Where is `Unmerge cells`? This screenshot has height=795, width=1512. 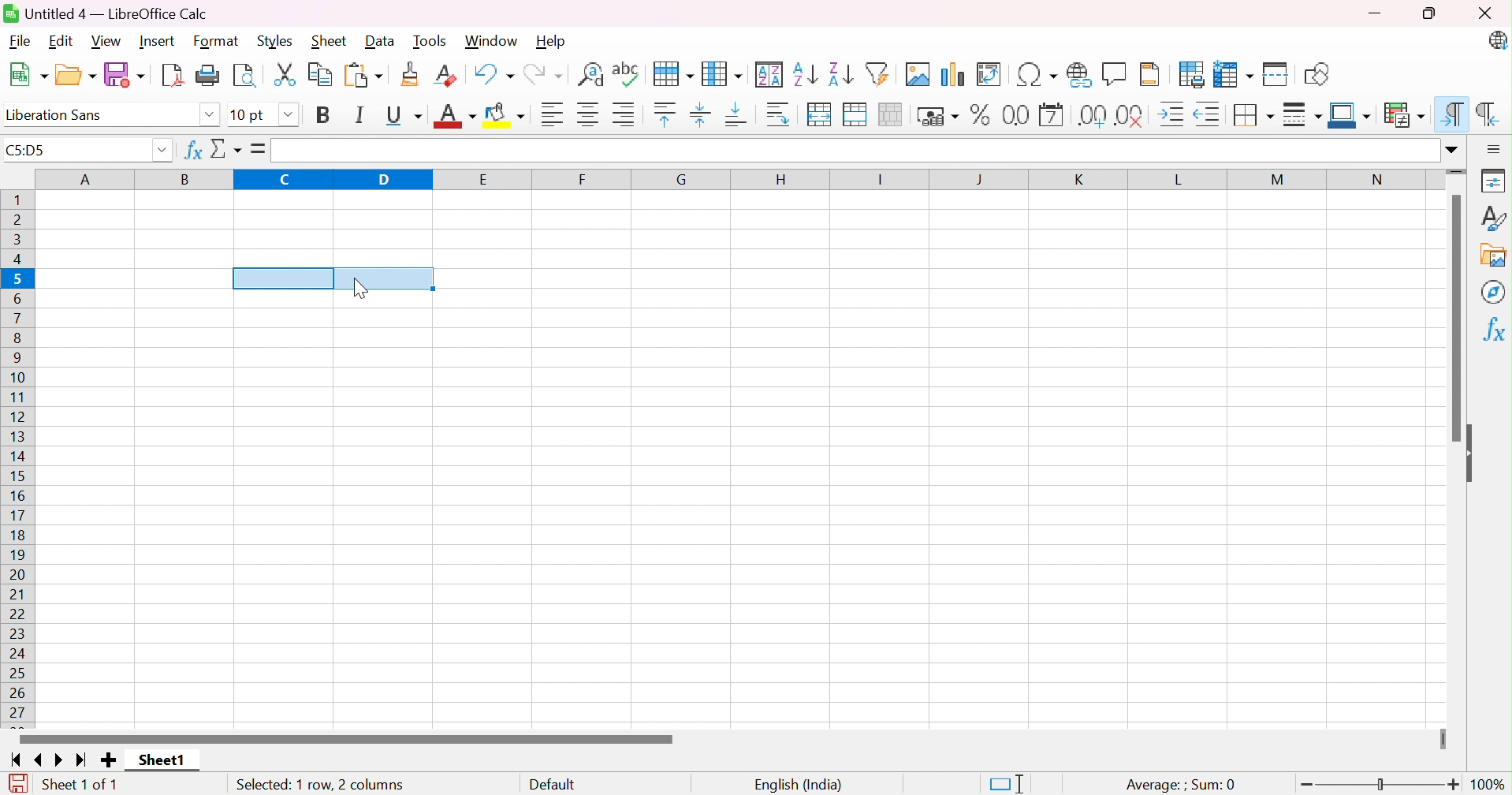 Unmerge cells is located at coordinates (895, 114).